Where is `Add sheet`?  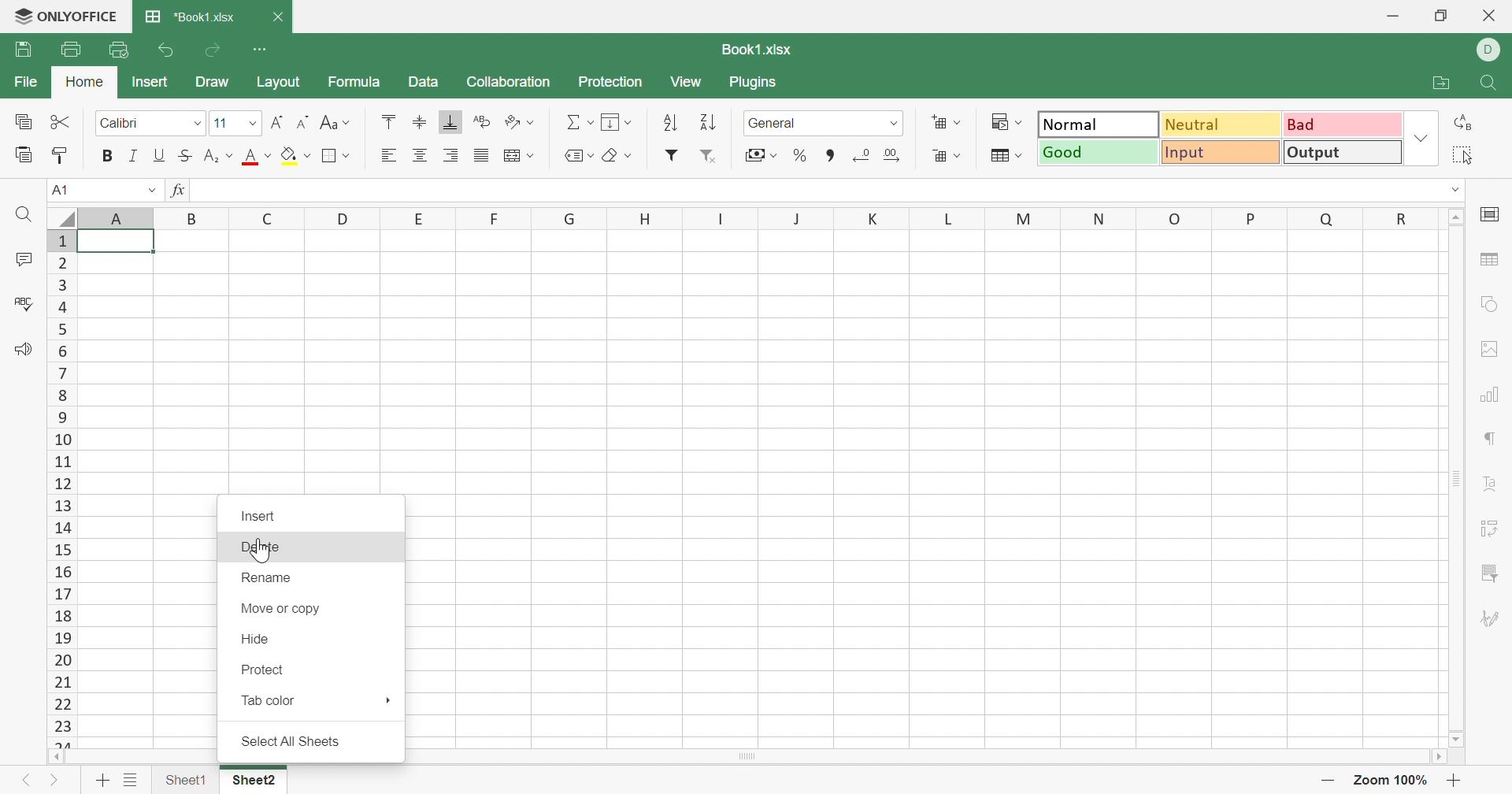 Add sheet is located at coordinates (102, 779).